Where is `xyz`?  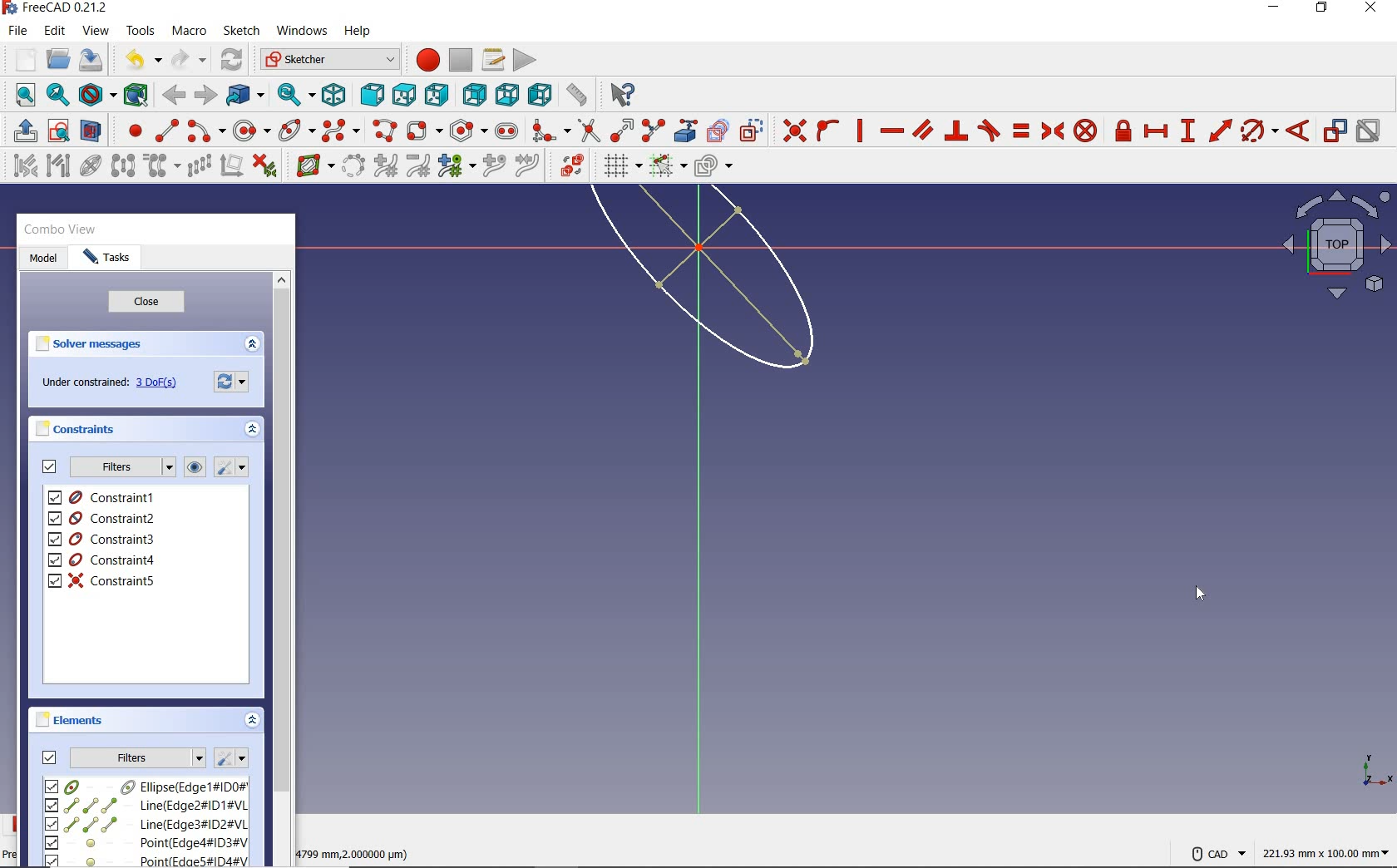 xyz is located at coordinates (1374, 768).